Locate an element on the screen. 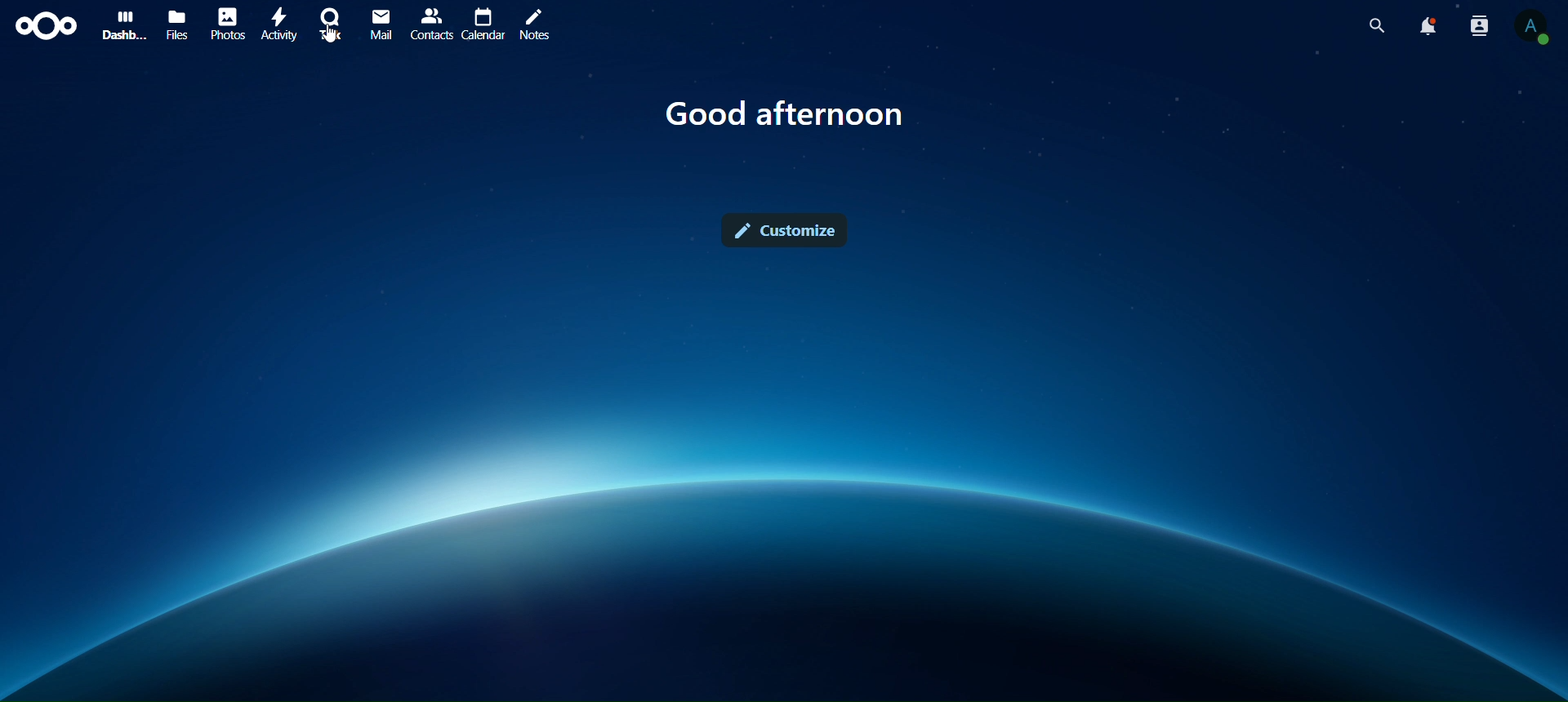 Image resolution: width=1568 pixels, height=702 pixels. search is located at coordinates (1379, 25).